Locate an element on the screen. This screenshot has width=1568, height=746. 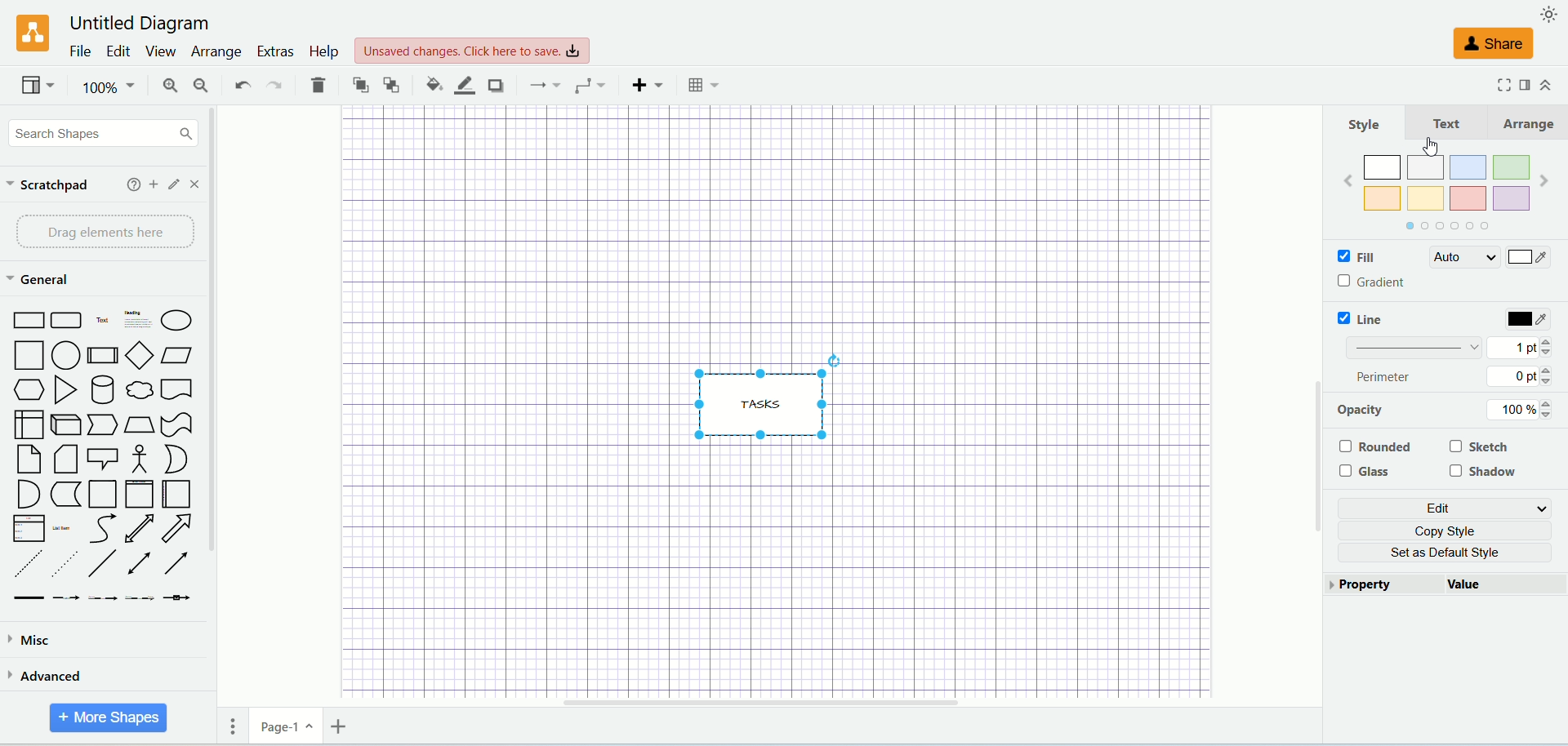
horizontal scroll bar is located at coordinates (811, 703).